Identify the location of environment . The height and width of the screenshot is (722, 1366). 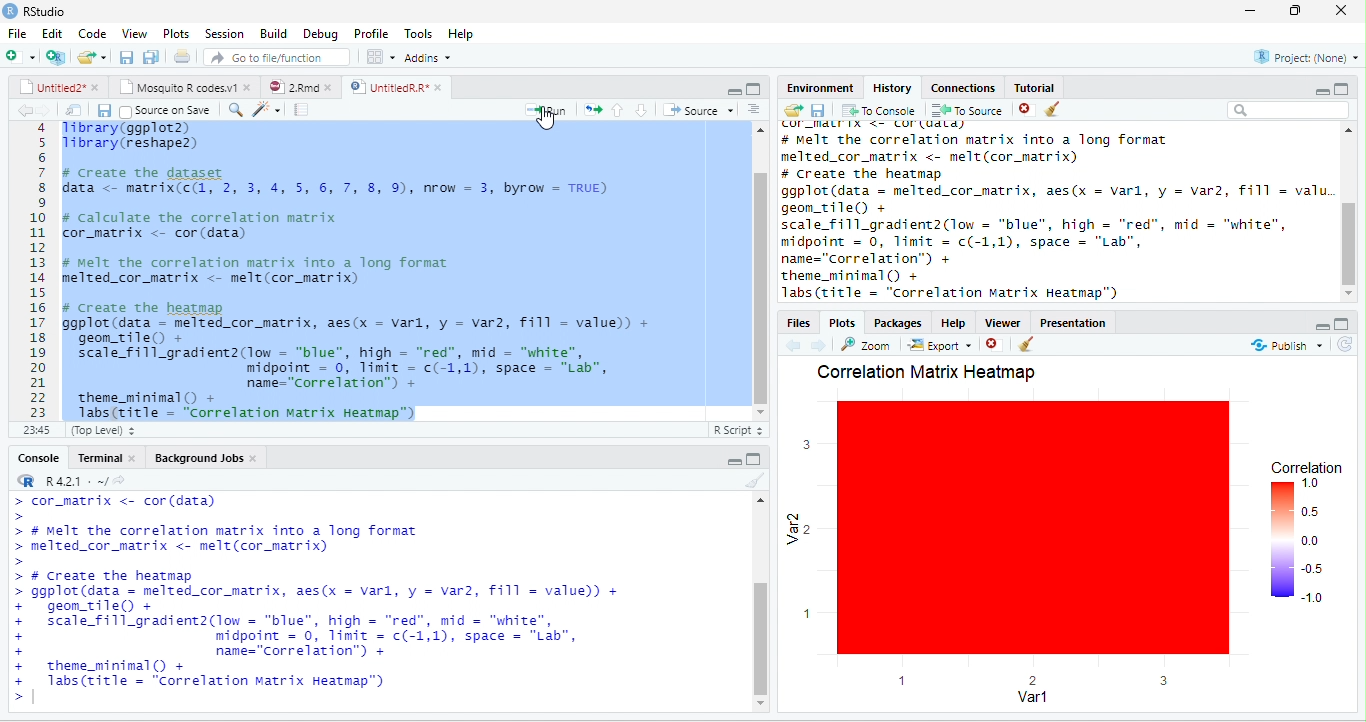
(812, 86).